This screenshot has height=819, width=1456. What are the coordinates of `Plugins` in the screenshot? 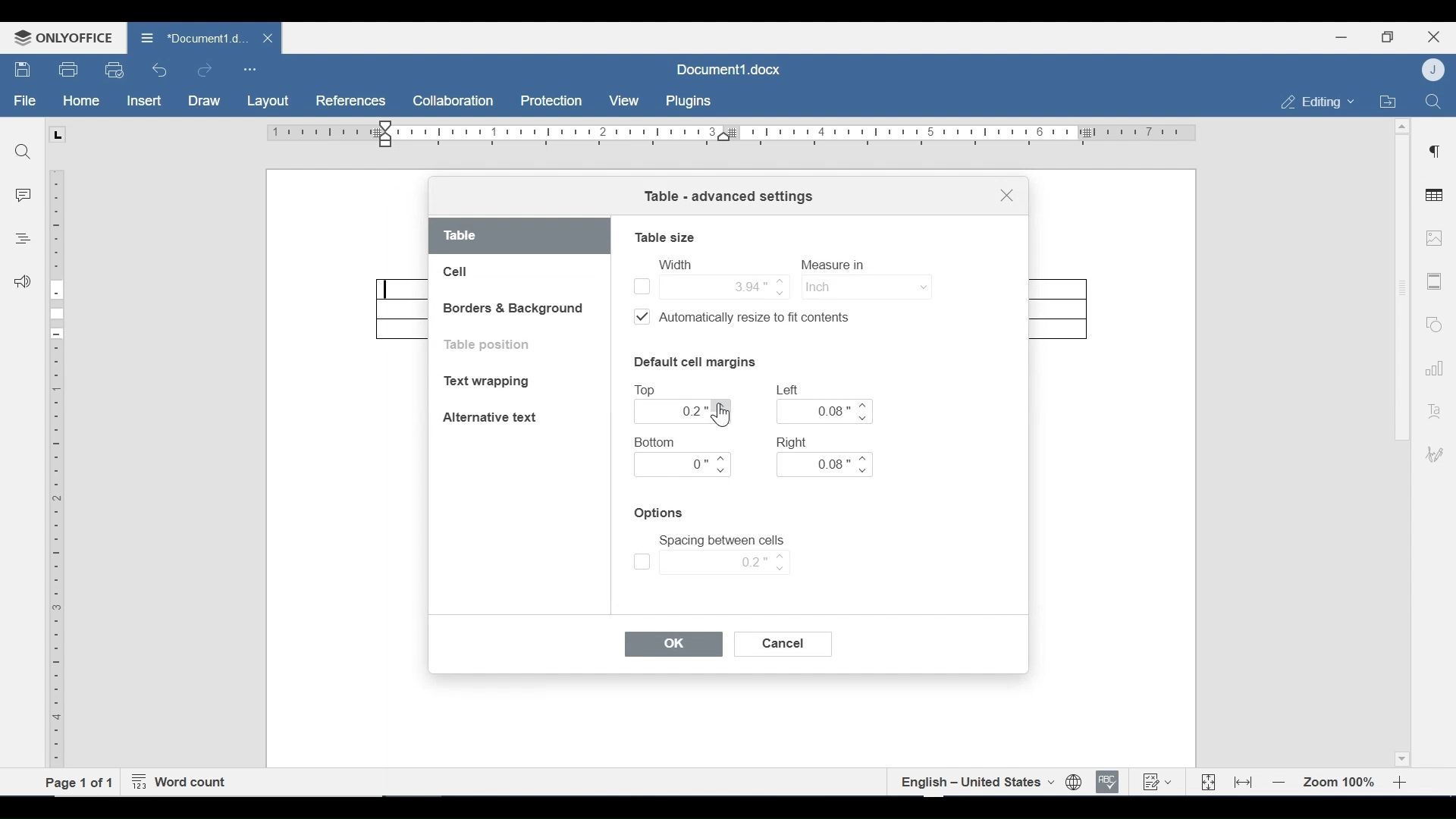 It's located at (686, 102).